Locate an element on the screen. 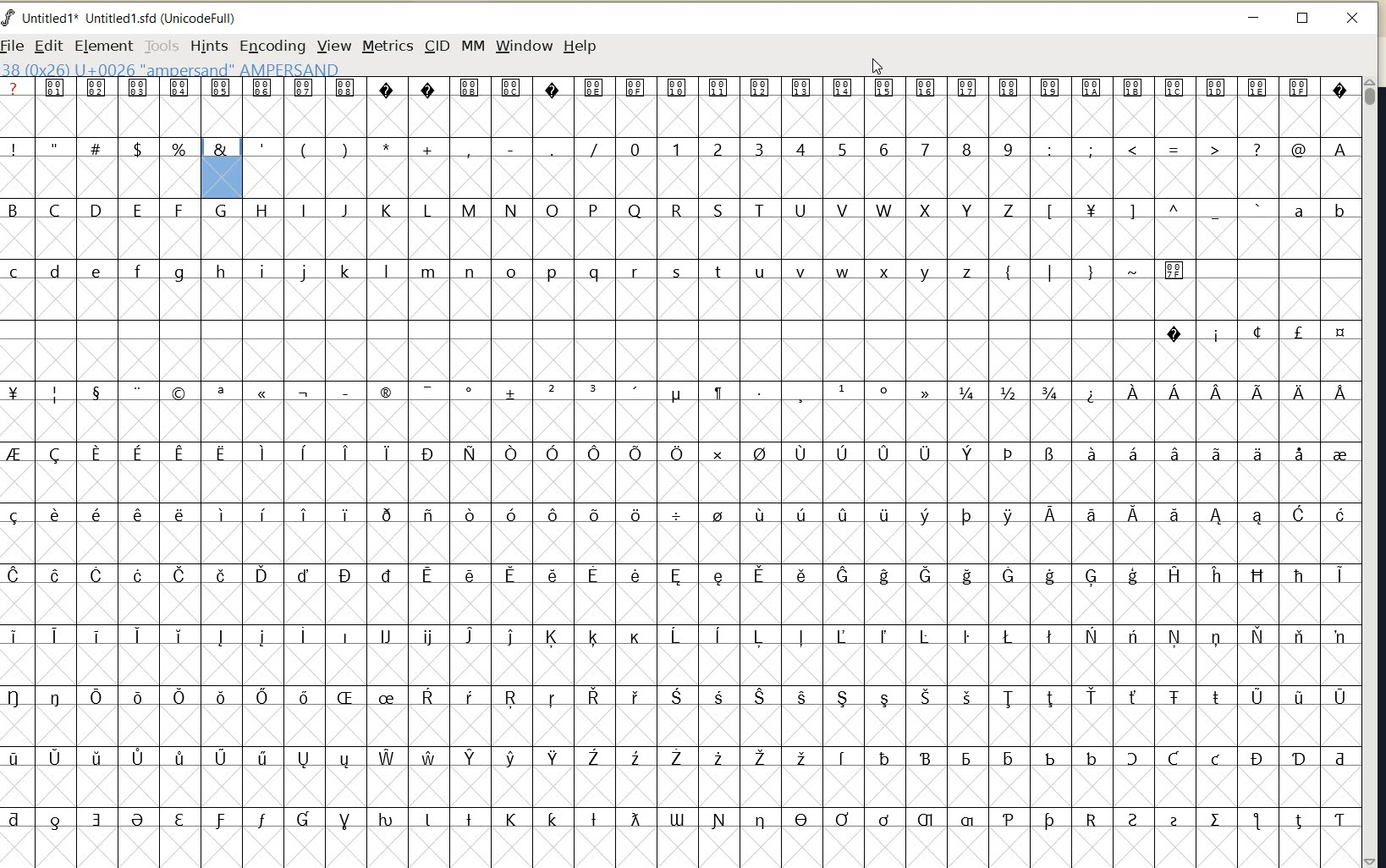 This screenshot has width=1386, height=868. glyph characters & numbers is located at coordinates (801, 139).